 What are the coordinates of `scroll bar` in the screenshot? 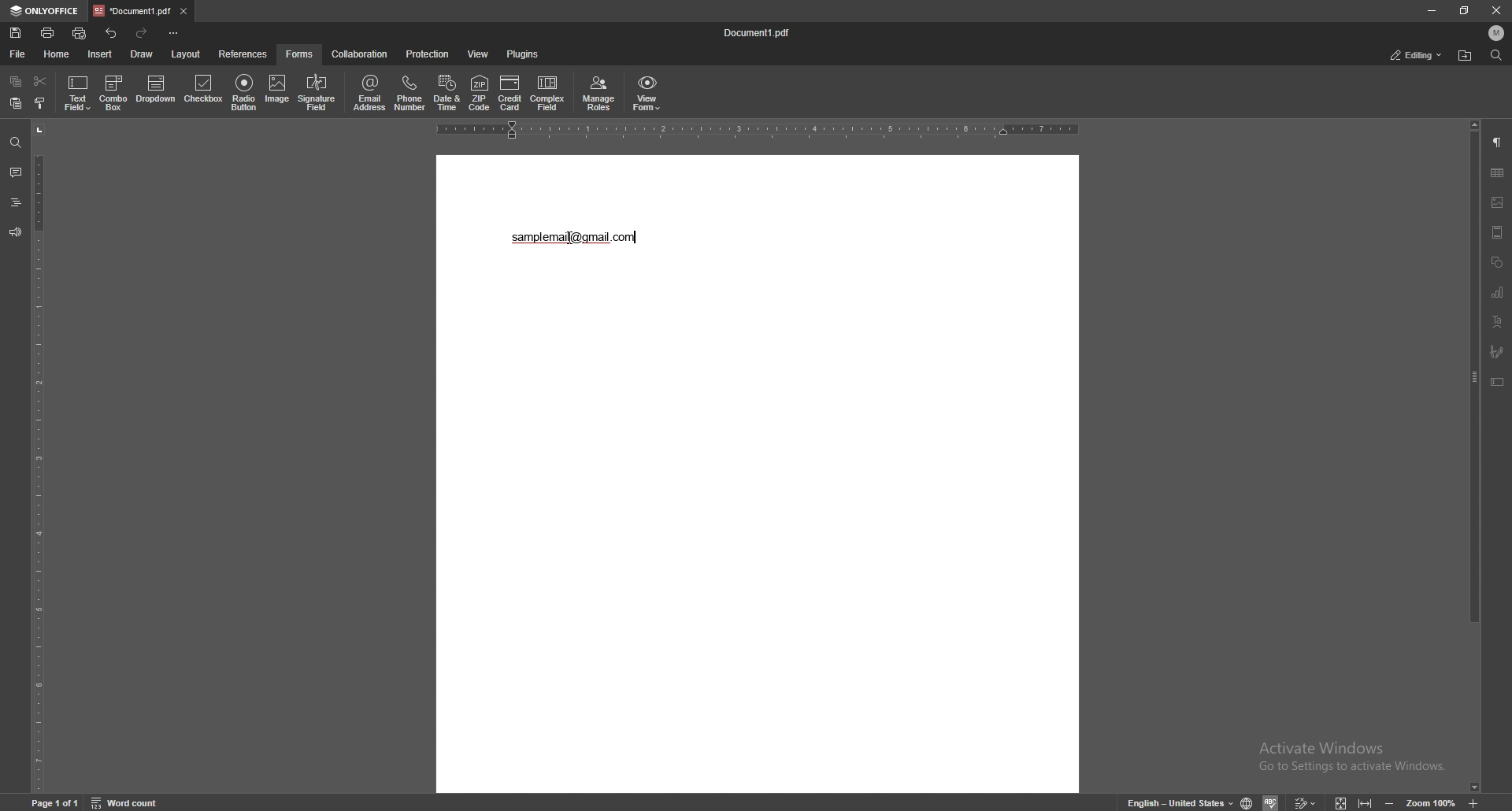 It's located at (1475, 457).